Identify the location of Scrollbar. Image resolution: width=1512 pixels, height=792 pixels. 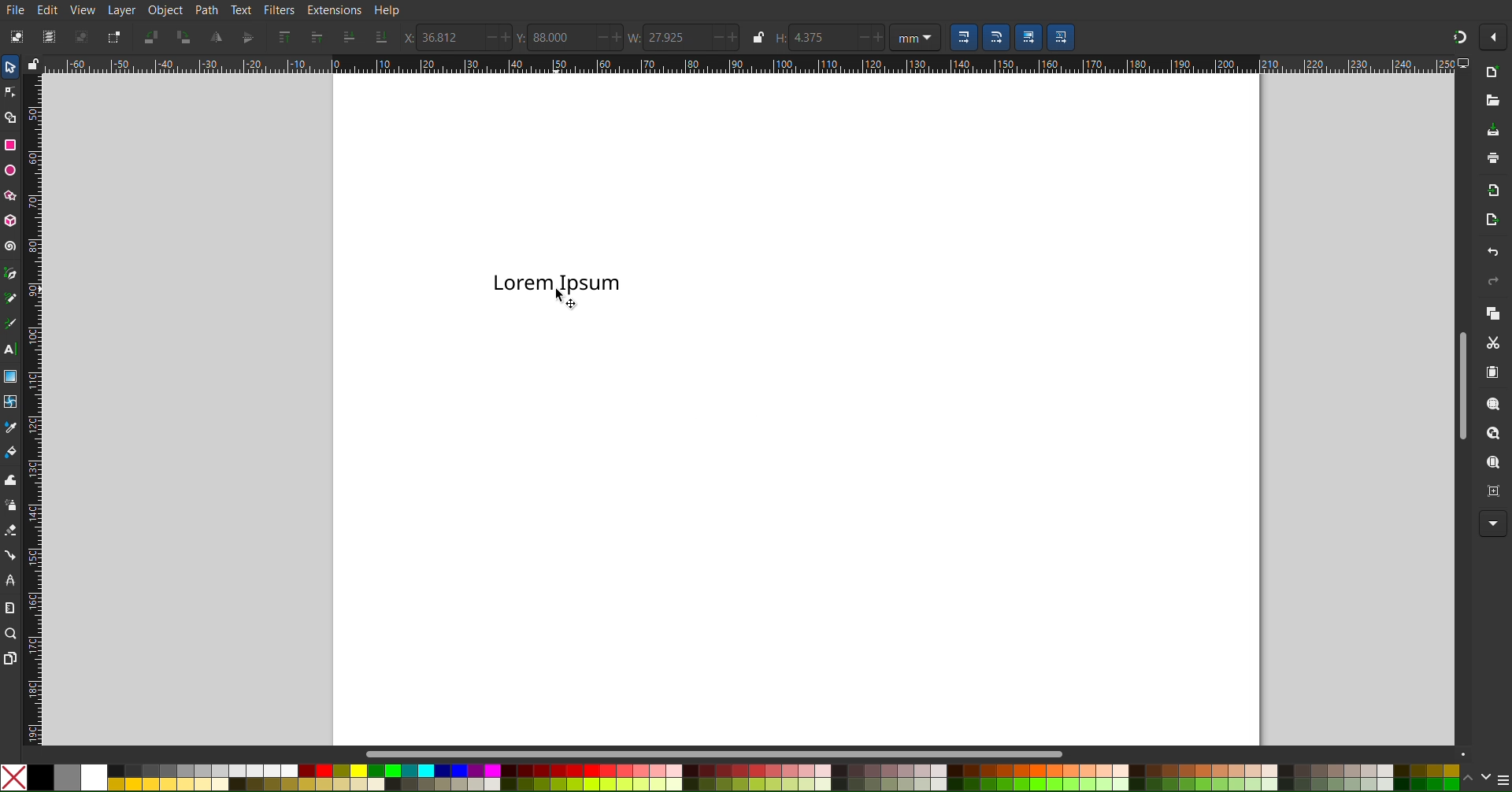
(1462, 385).